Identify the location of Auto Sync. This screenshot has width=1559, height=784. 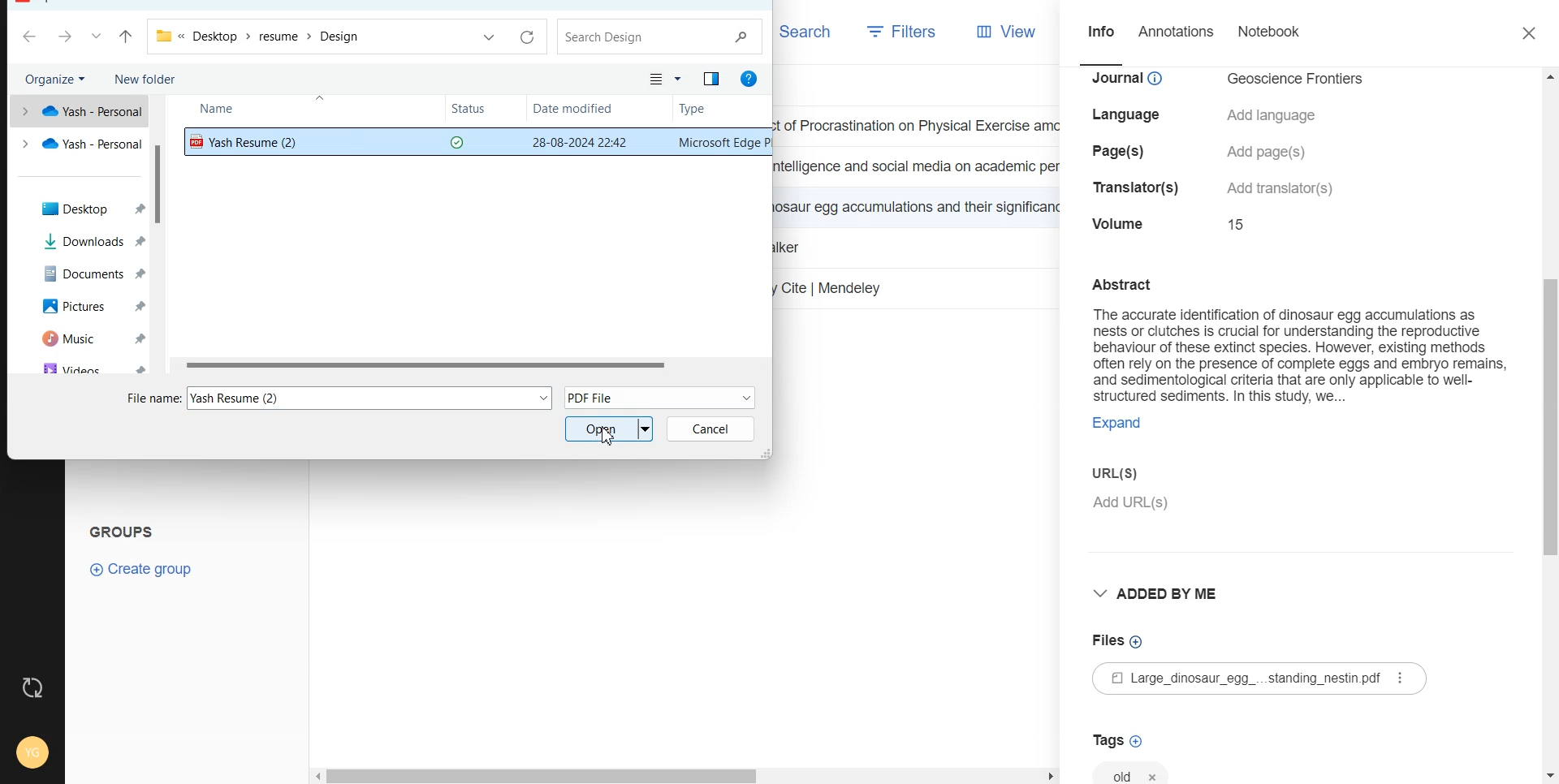
(32, 687).